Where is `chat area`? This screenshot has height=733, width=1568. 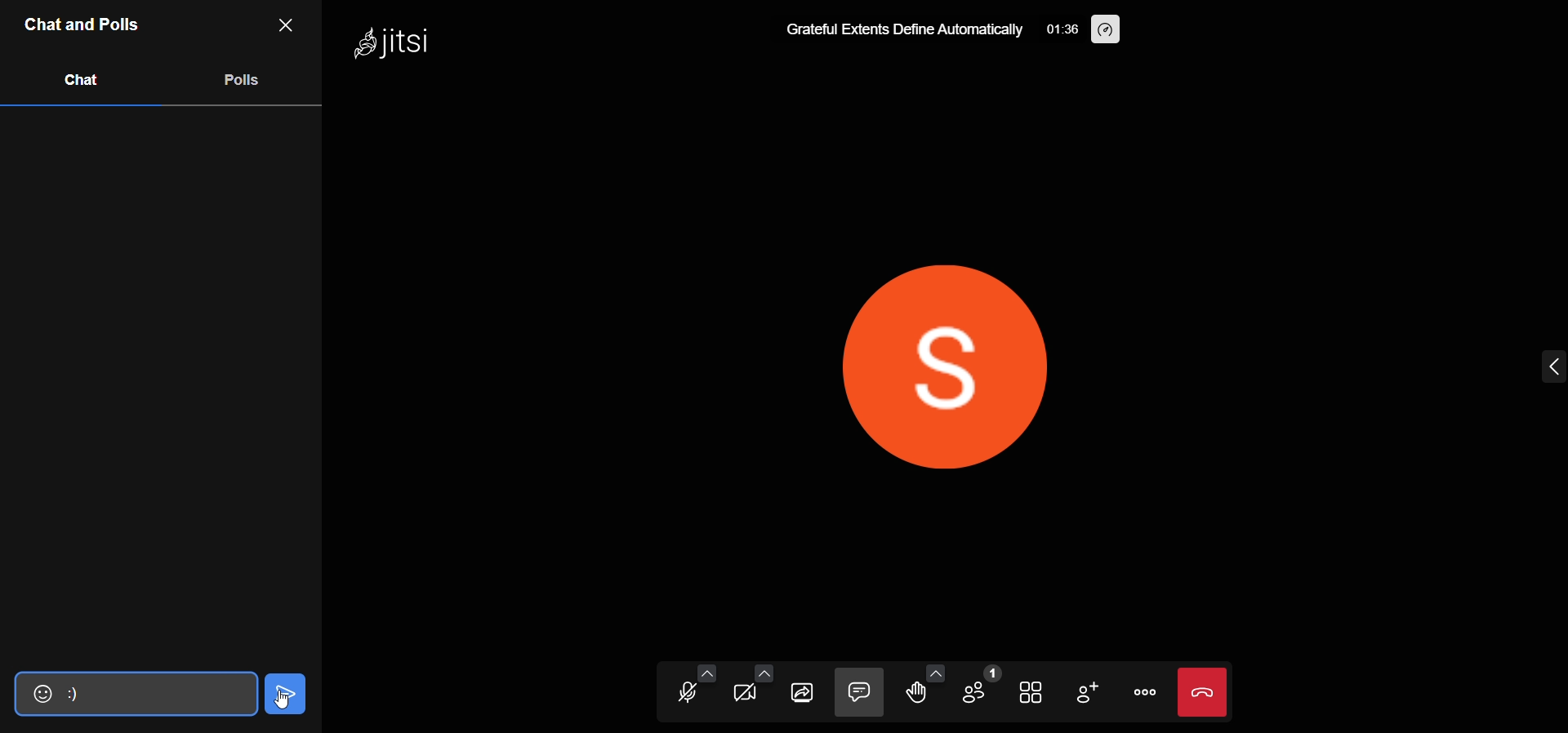 chat area is located at coordinates (162, 388).